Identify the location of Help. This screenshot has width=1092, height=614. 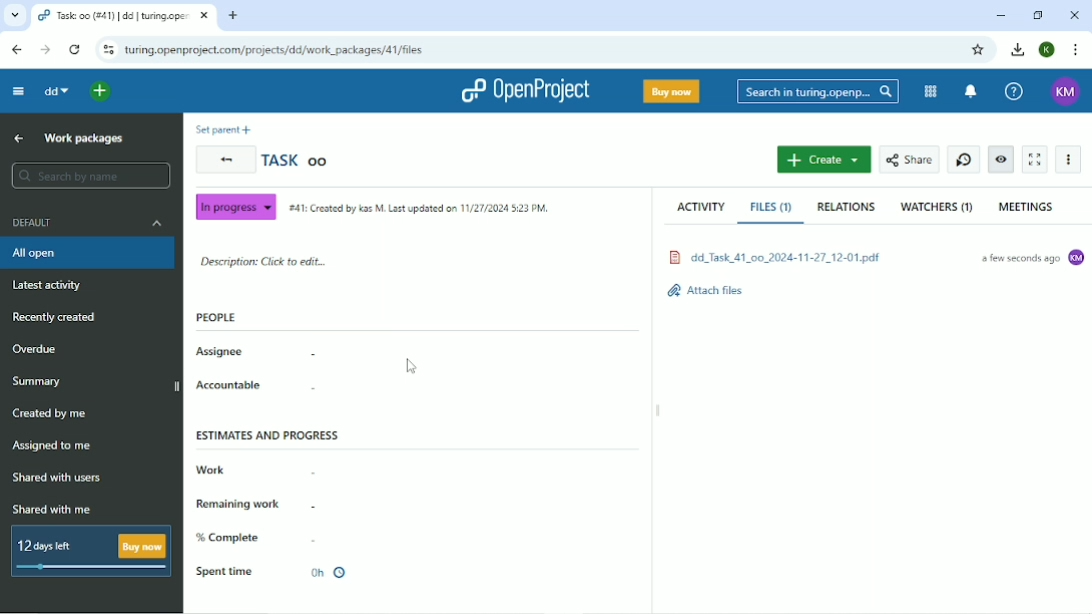
(1016, 91).